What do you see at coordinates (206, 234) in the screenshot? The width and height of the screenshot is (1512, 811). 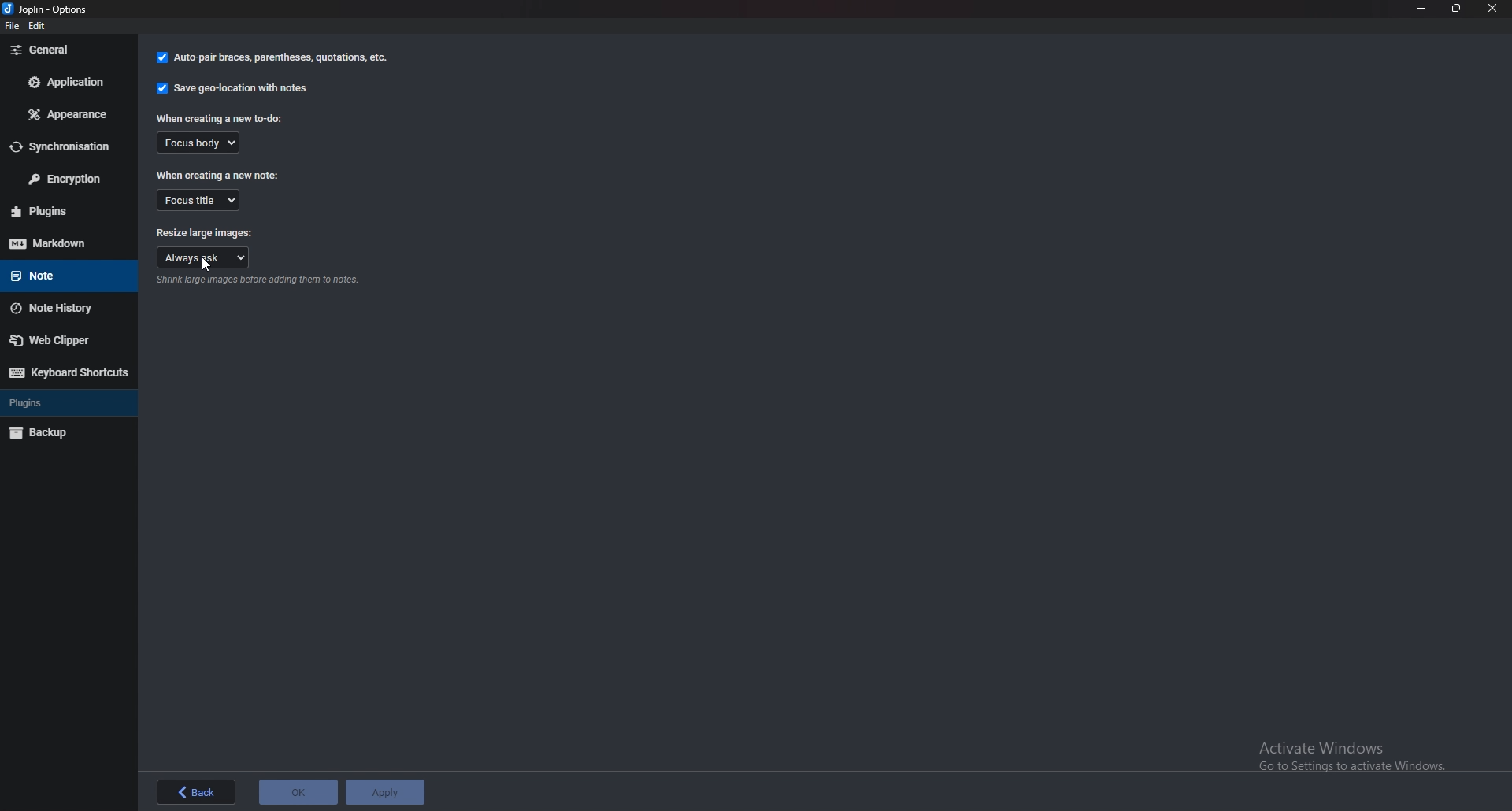 I see `Resize large images` at bounding box center [206, 234].